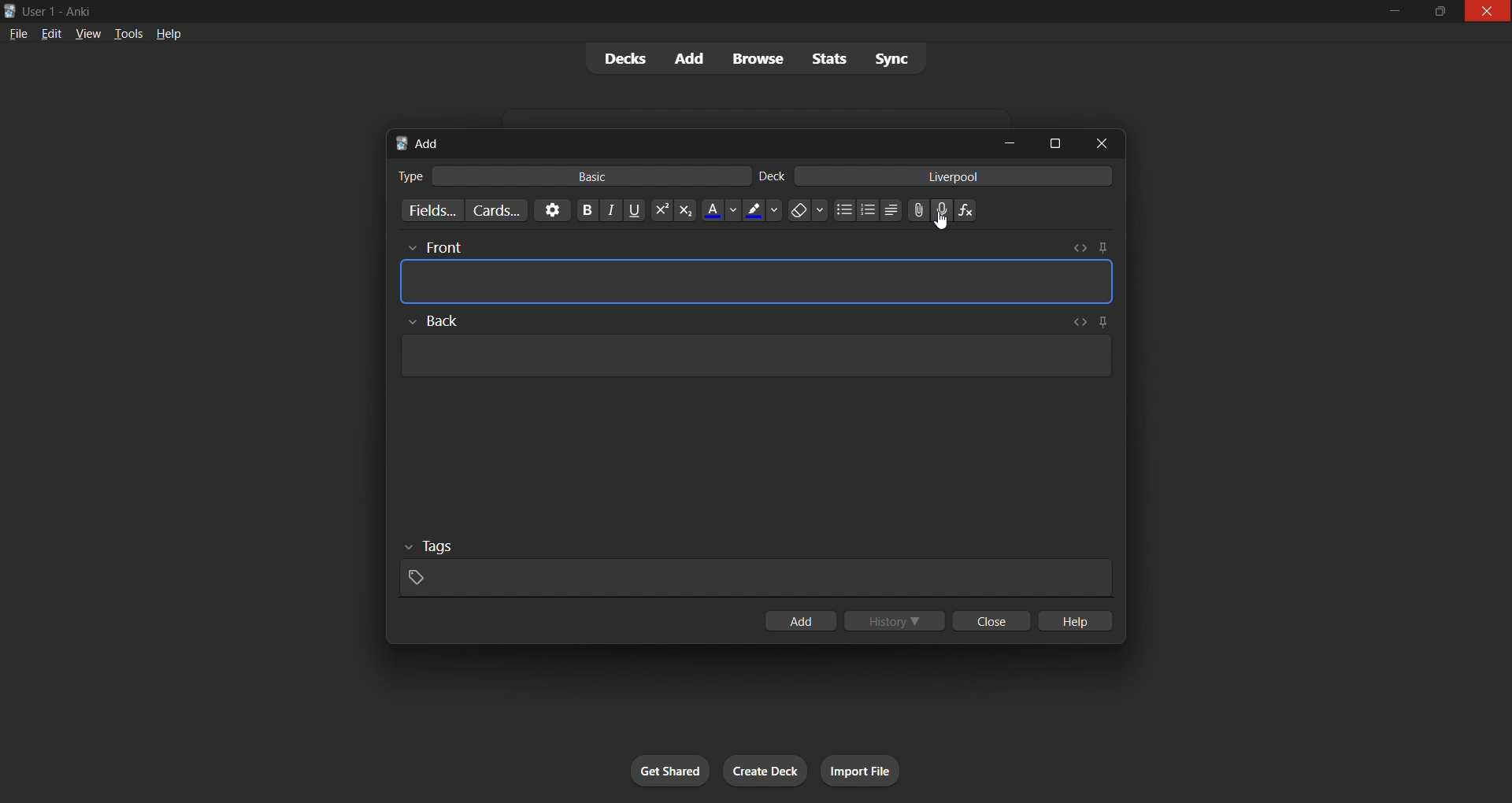  What do you see at coordinates (658, 209) in the screenshot?
I see `superscript` at bounding box center [658, 209].